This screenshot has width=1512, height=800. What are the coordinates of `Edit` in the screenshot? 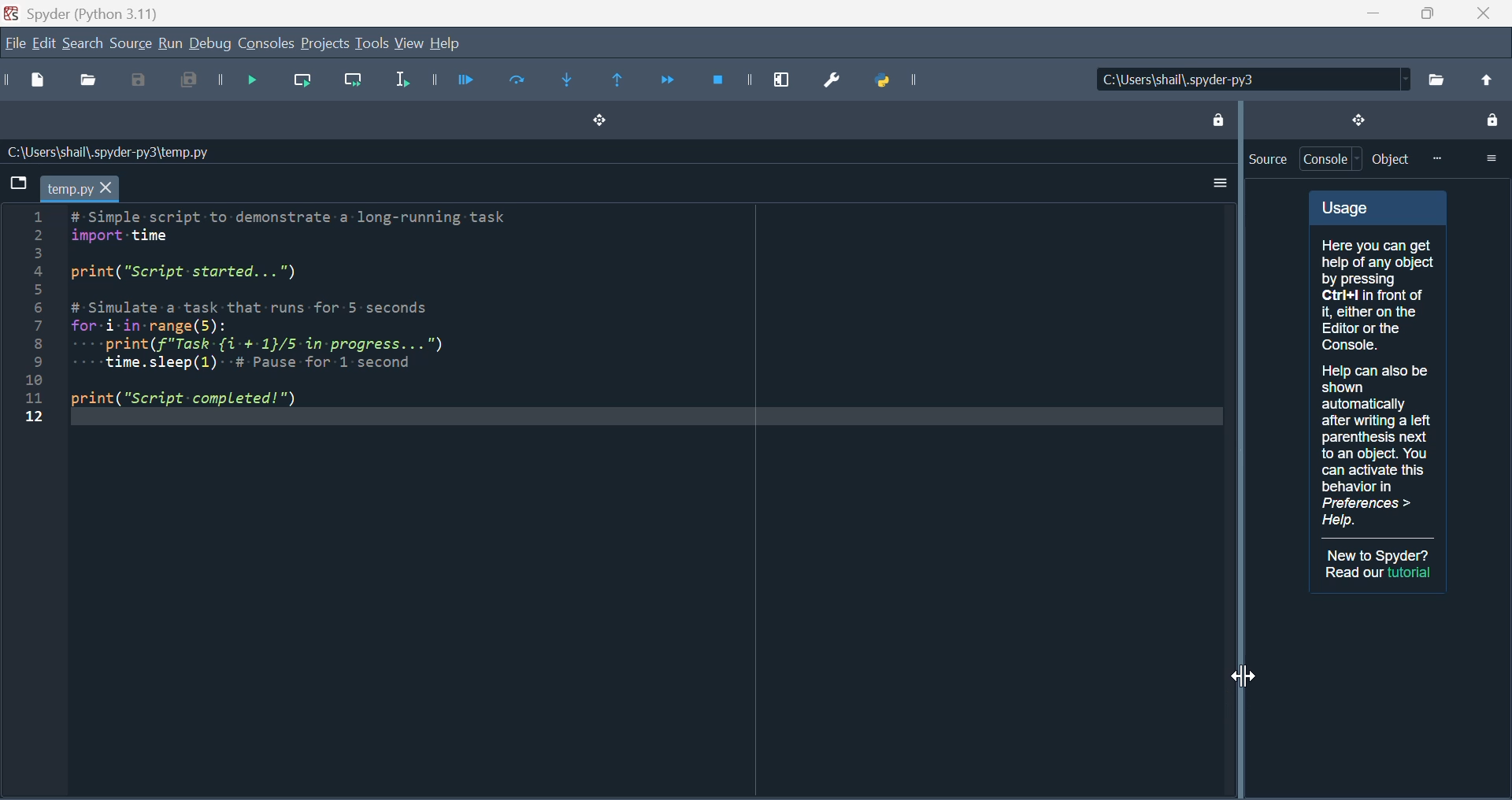 It's located at (42, 45).